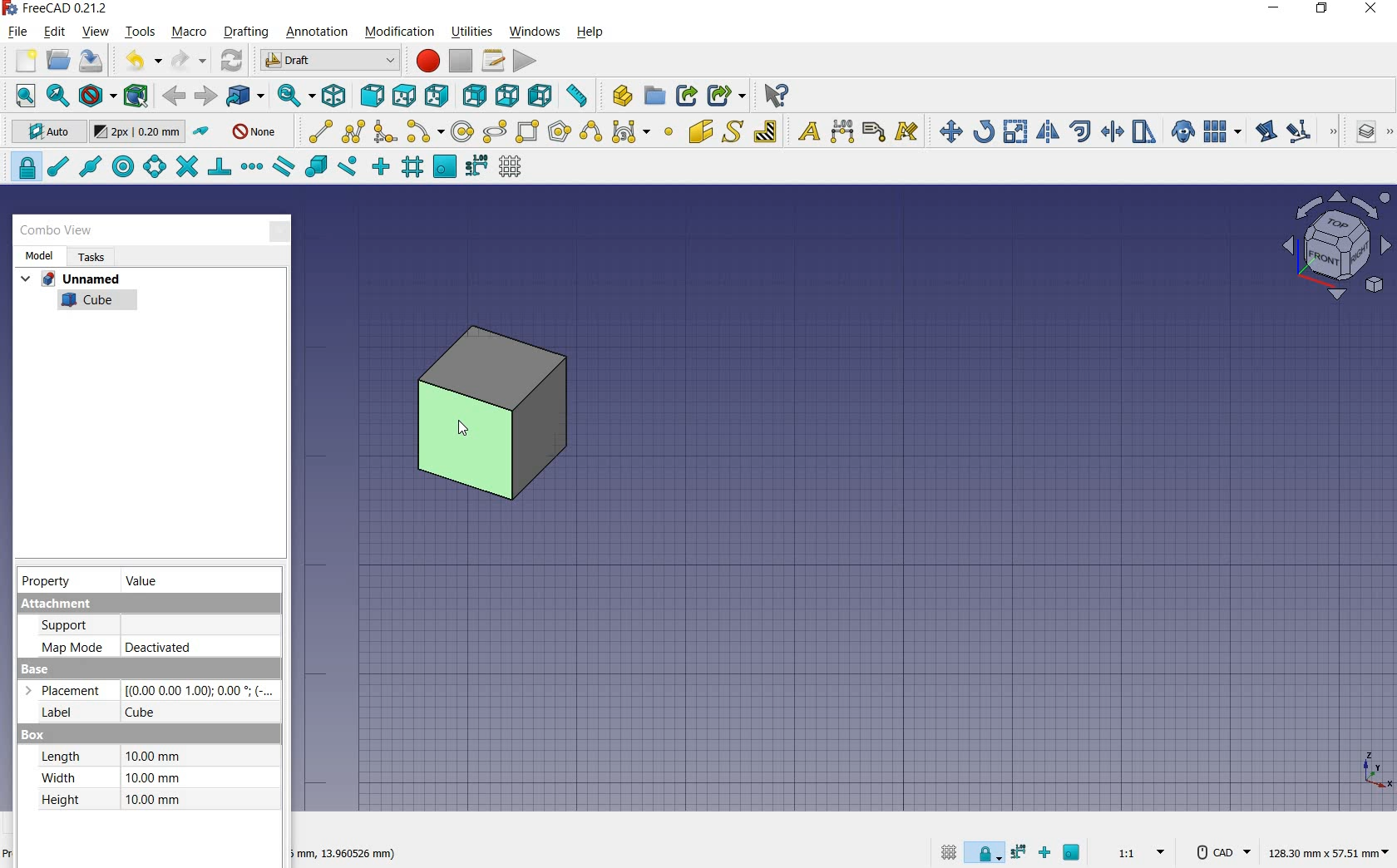 The image size is (1397, 868). I want to click on redo, so click(186, 61).